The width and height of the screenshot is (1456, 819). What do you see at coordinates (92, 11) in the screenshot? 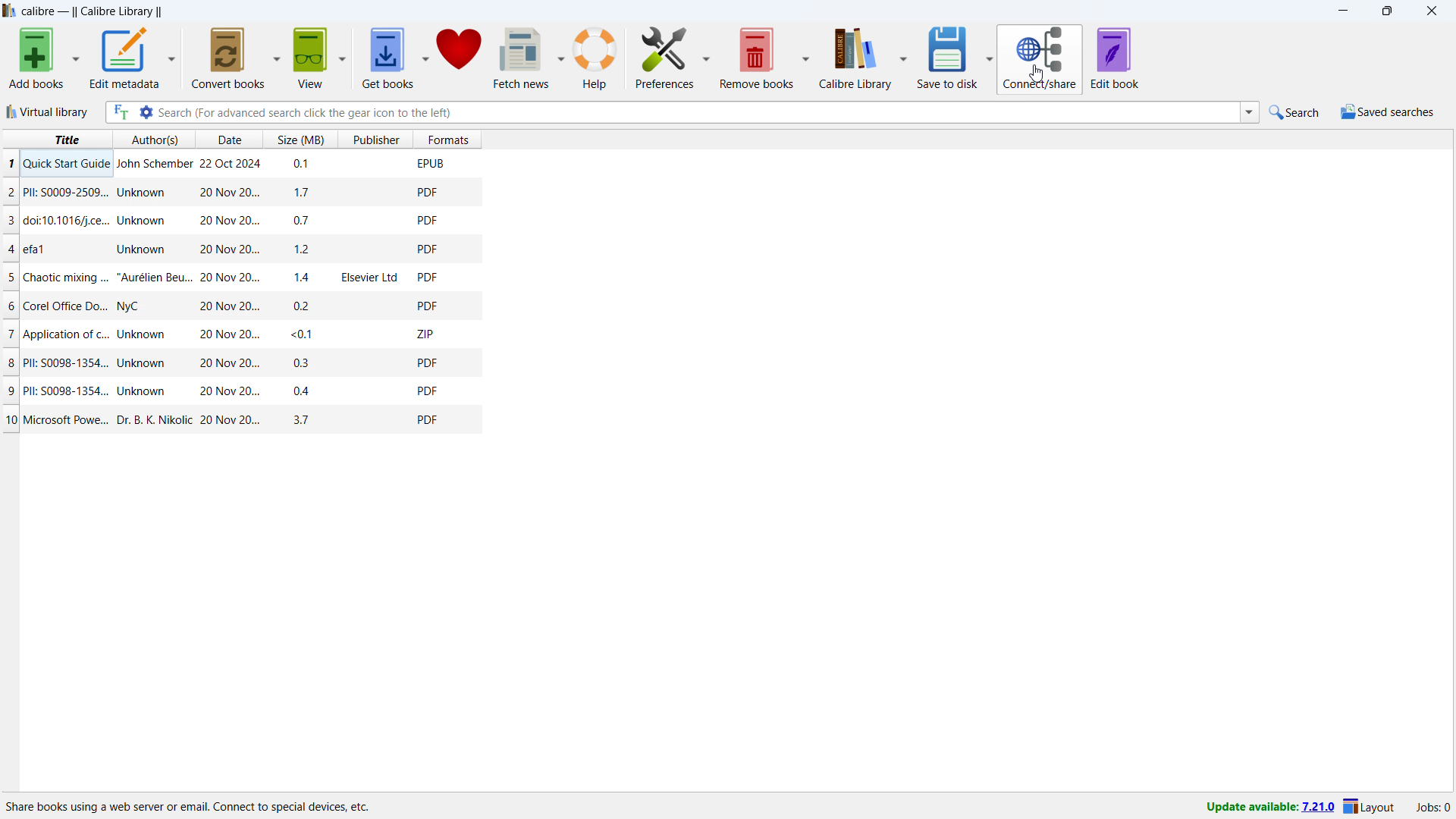
I see `title` at bounding box center [92, 11].